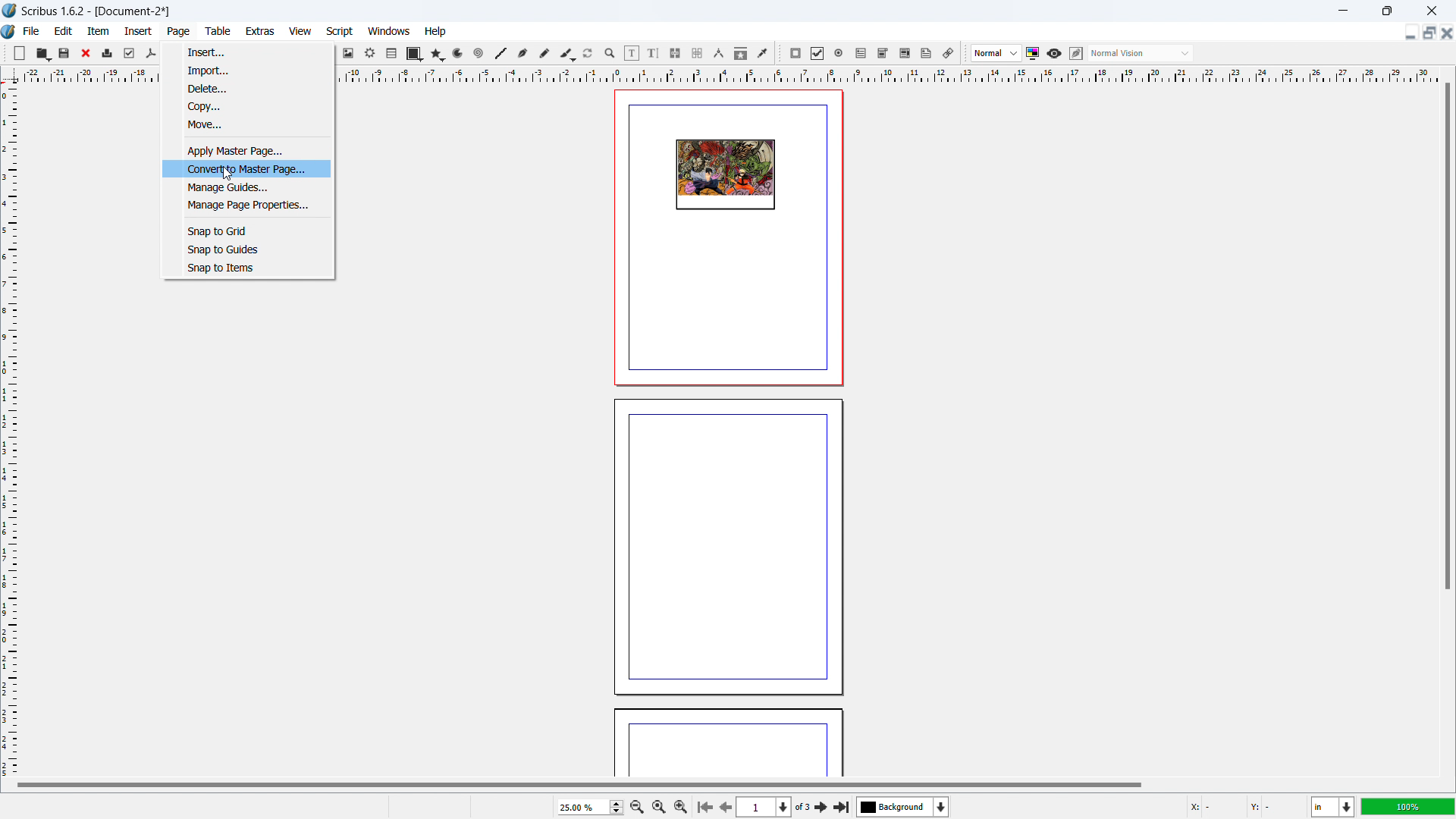 The width and height of the screenshot is (1456, 819). What do you see at coordinates (10, 11) in the screenshot?
I see `logo` at bounding box center [10, 11].